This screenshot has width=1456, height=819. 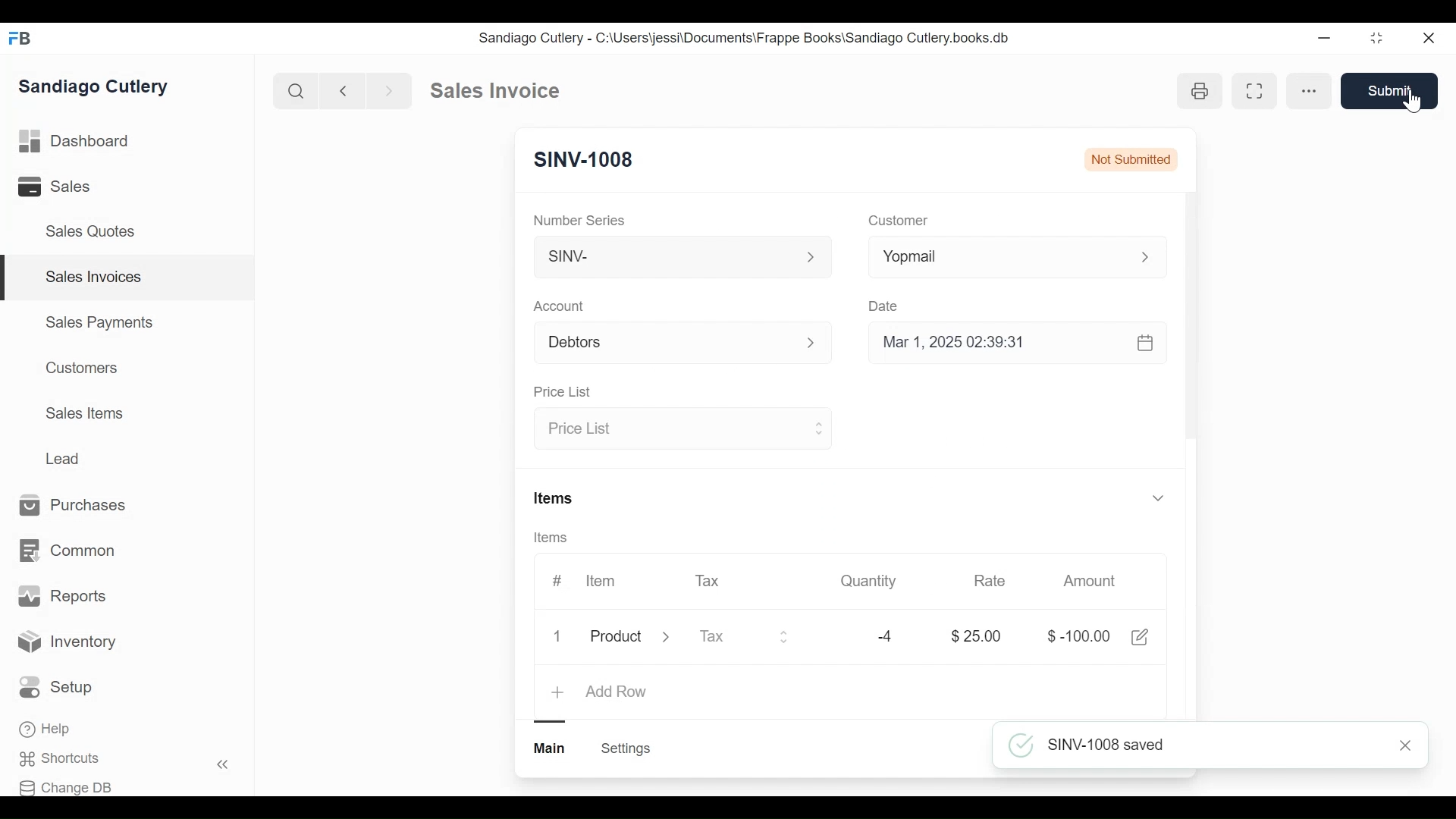 What do you see at coordinates (1014, 341) in the screenshot?
I see ` Mar 1, 2025 02:39:31` at bounding box center [1014, 341].